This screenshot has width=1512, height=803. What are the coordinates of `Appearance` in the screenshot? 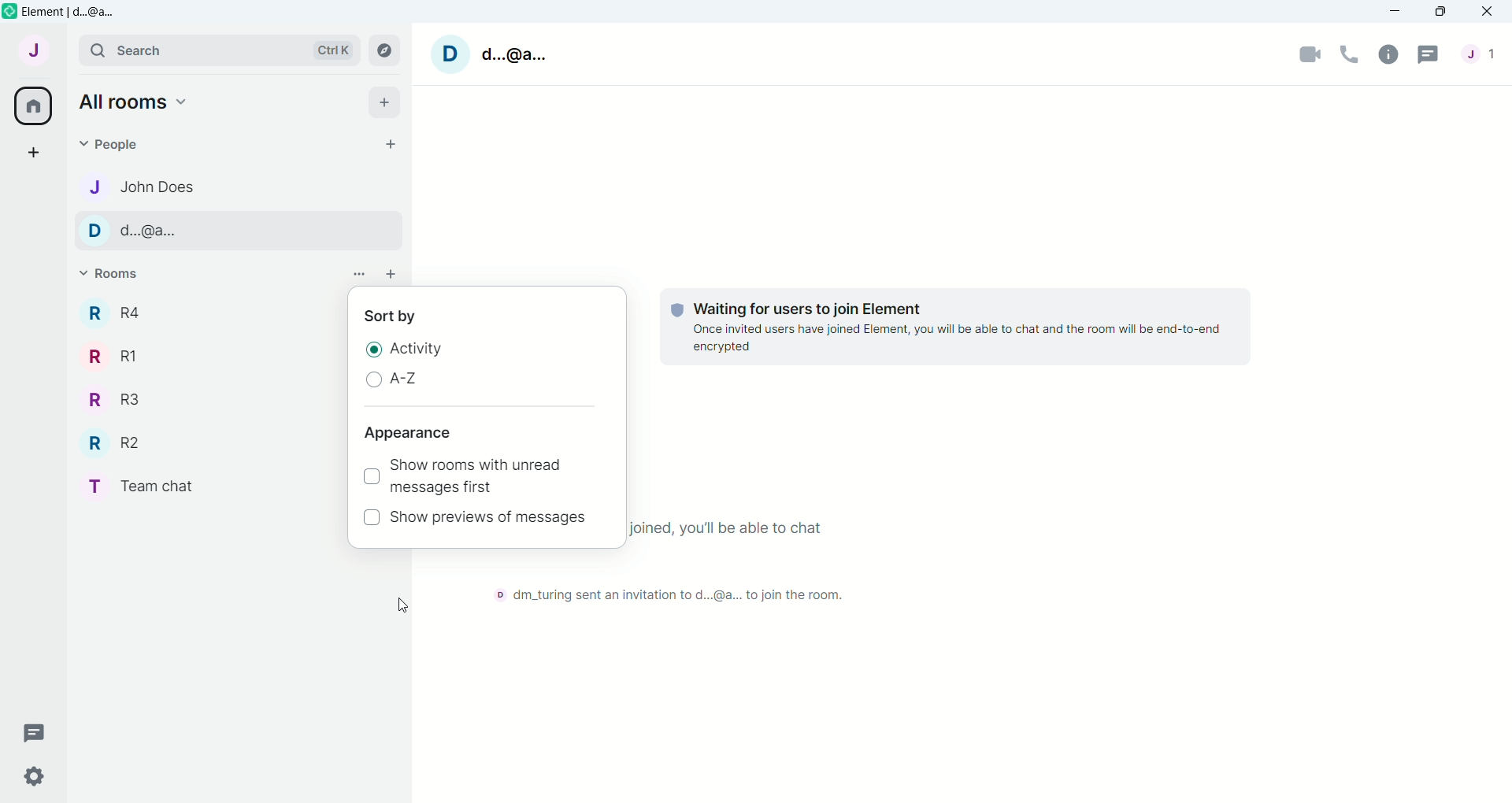 It's located at (409, 433).